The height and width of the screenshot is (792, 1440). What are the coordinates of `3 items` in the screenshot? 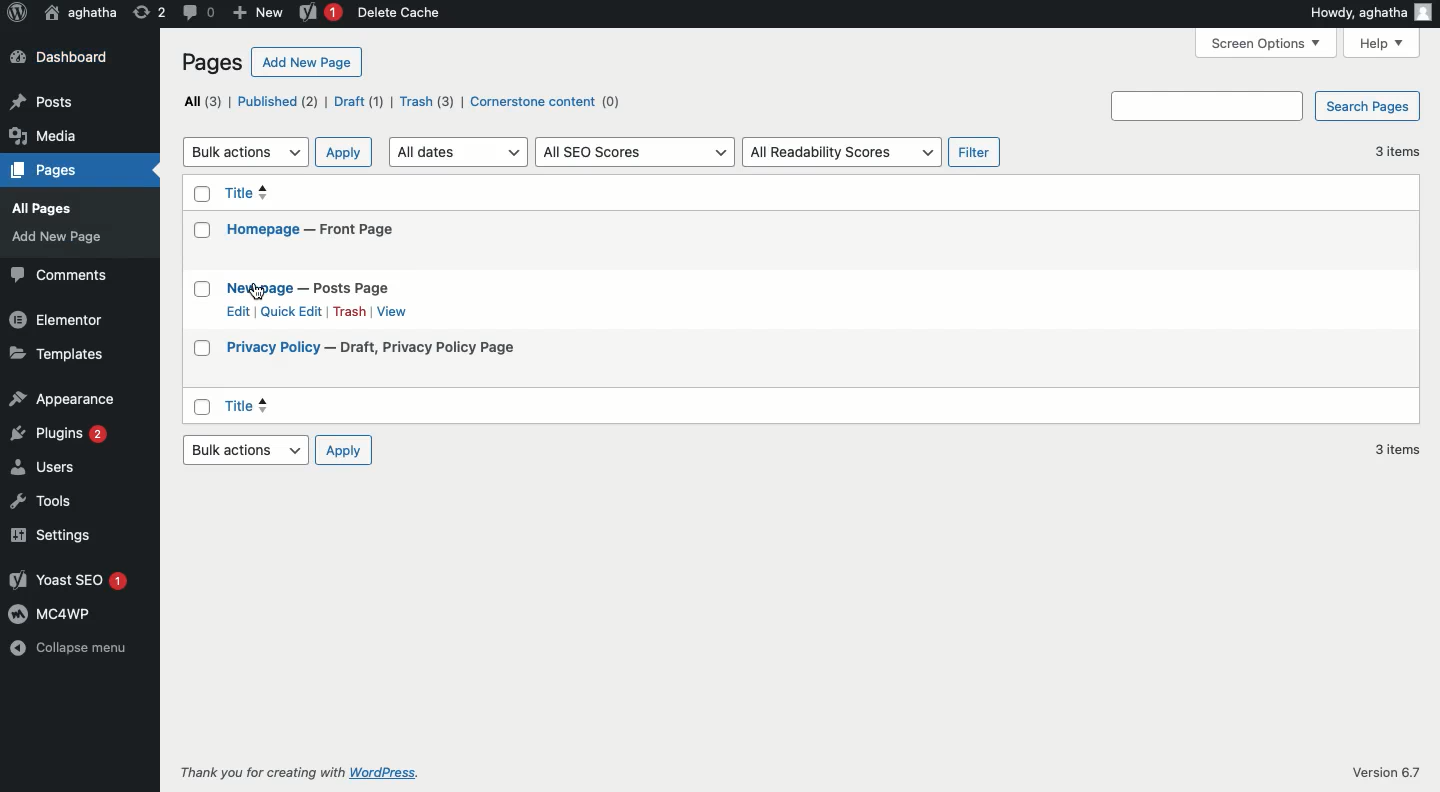 It's located at (1394, 450).